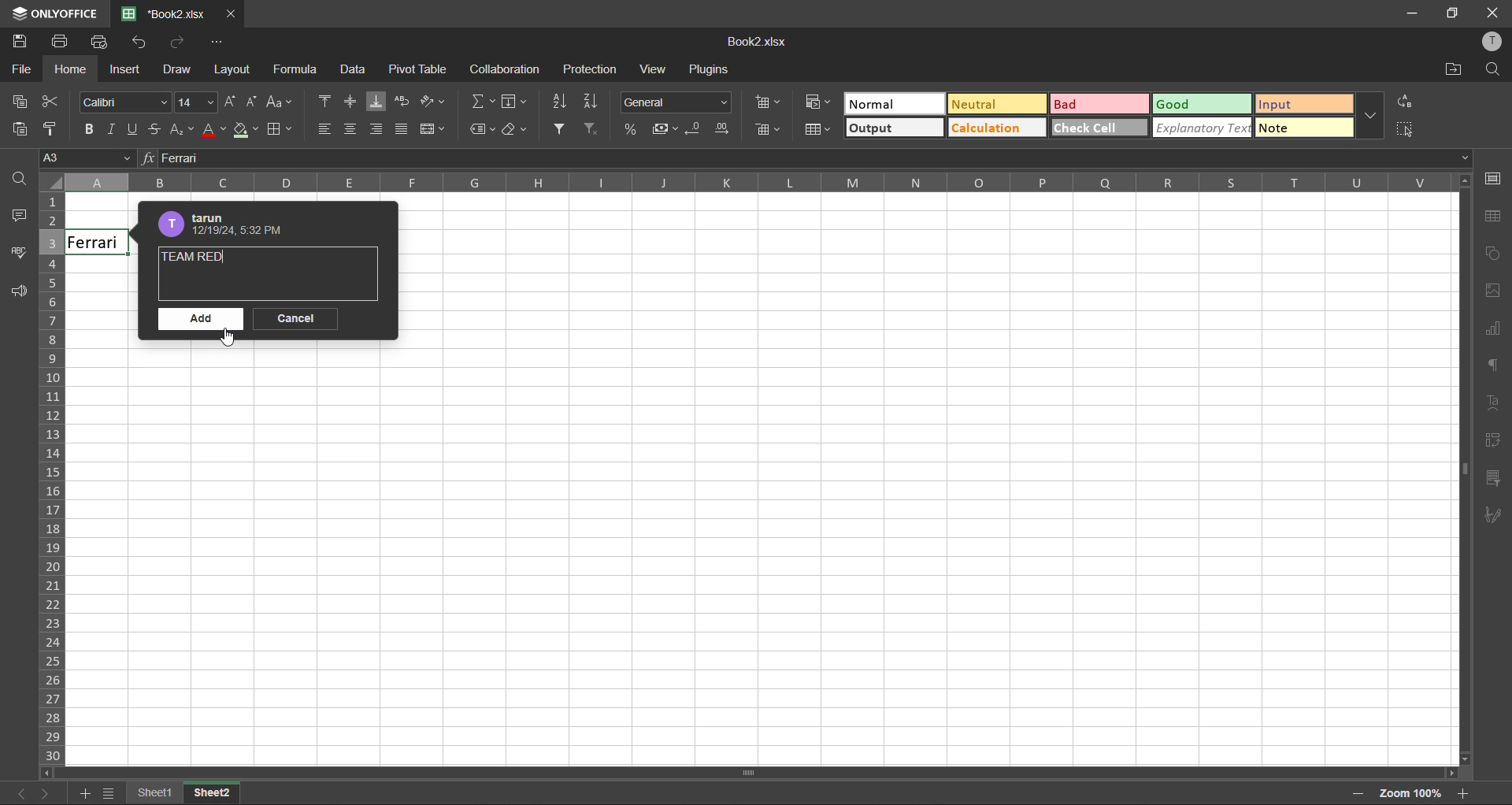 The width and height of the screenshot is (1512, 805). I want to click on bad, so click(1099, 104).